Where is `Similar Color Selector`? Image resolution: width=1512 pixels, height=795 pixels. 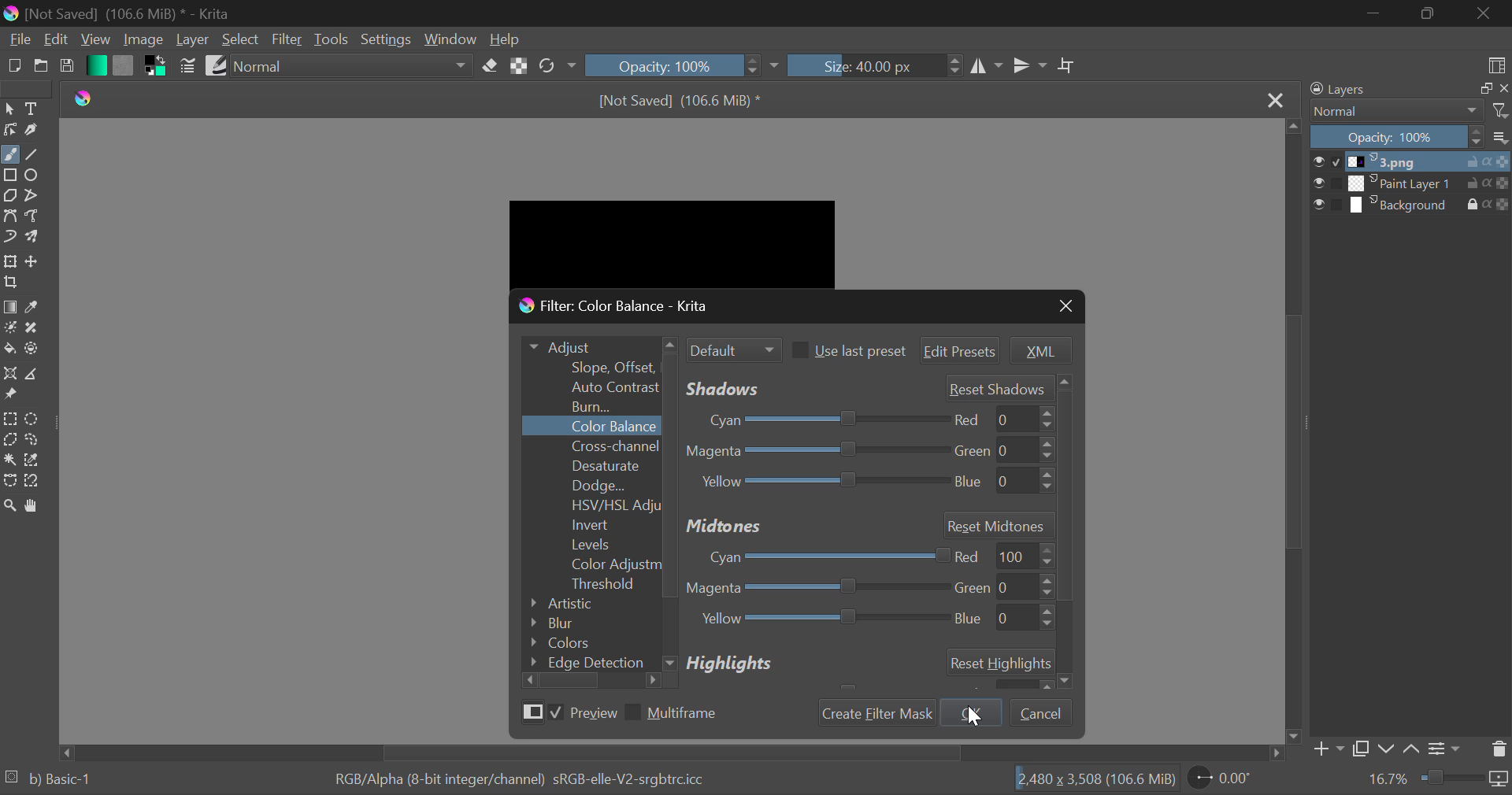
Similar Color Selector is located at coordinates (36, 460).